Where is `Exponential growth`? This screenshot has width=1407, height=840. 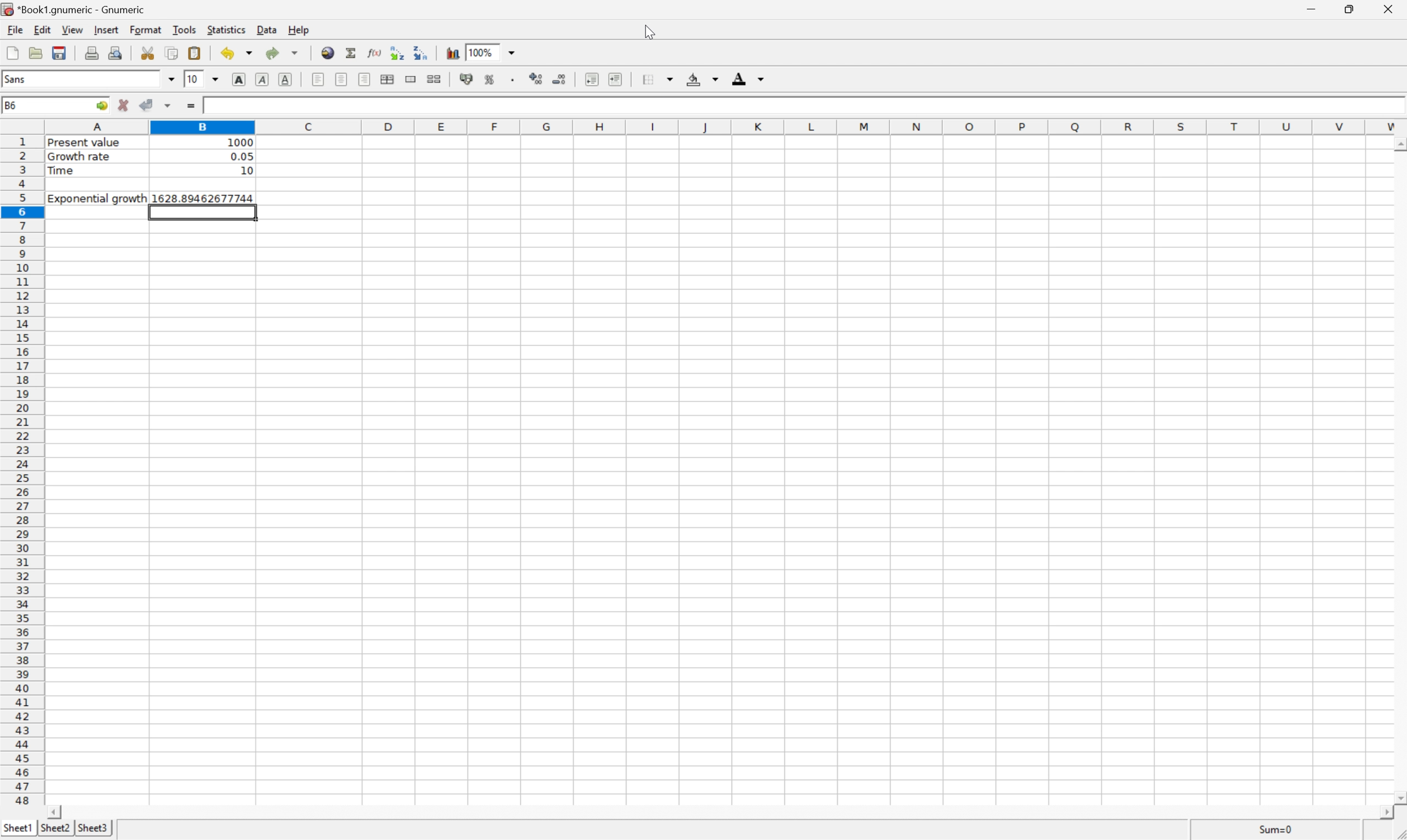
Exponential growth is located at coordinates (100, 198).